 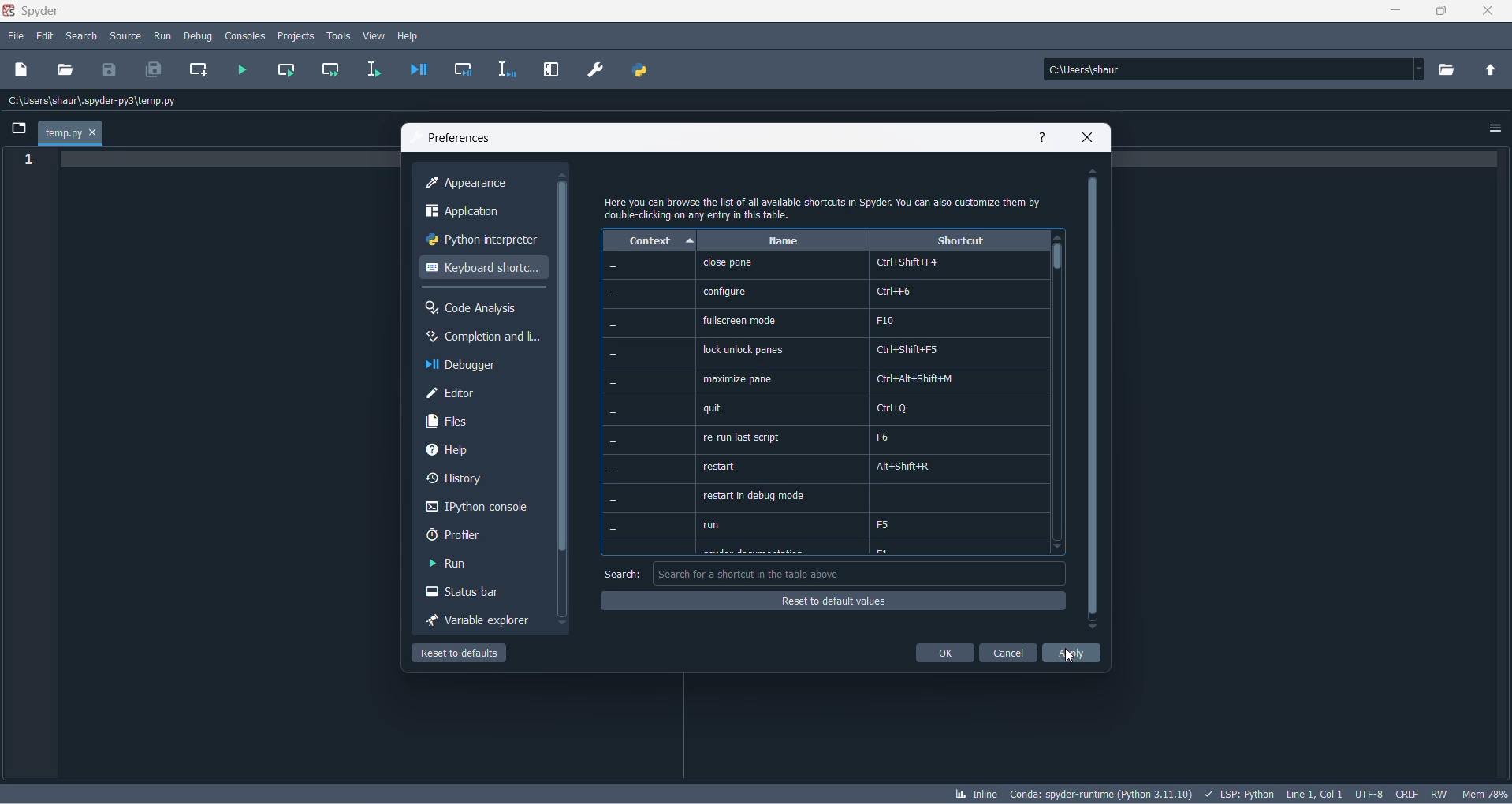 What do you see at coordinates (476, 481) in the screenshot?
I see `history` at bounding box center [476, 481].